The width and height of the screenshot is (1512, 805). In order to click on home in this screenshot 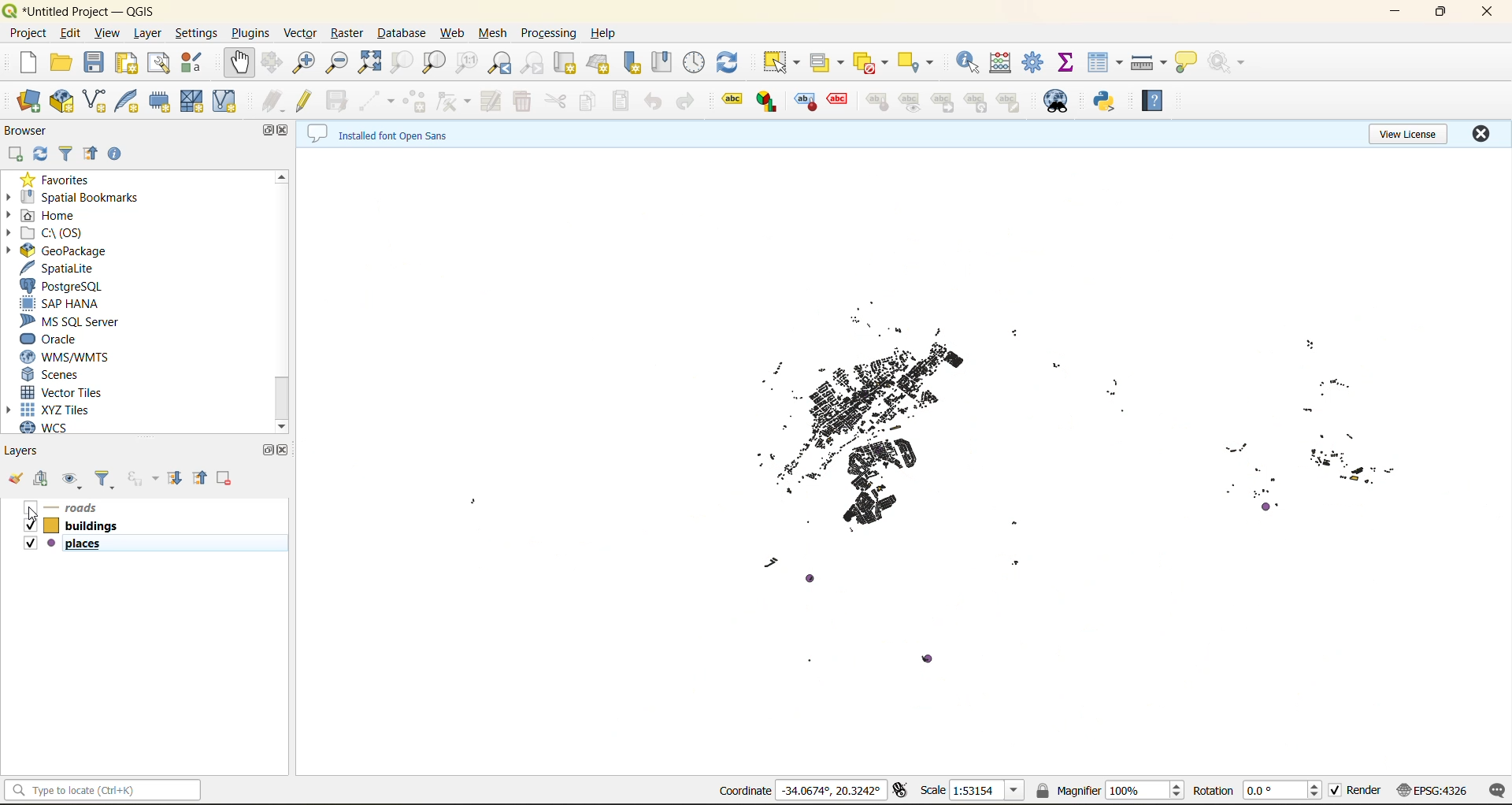, I will do `click(64, 215)`.